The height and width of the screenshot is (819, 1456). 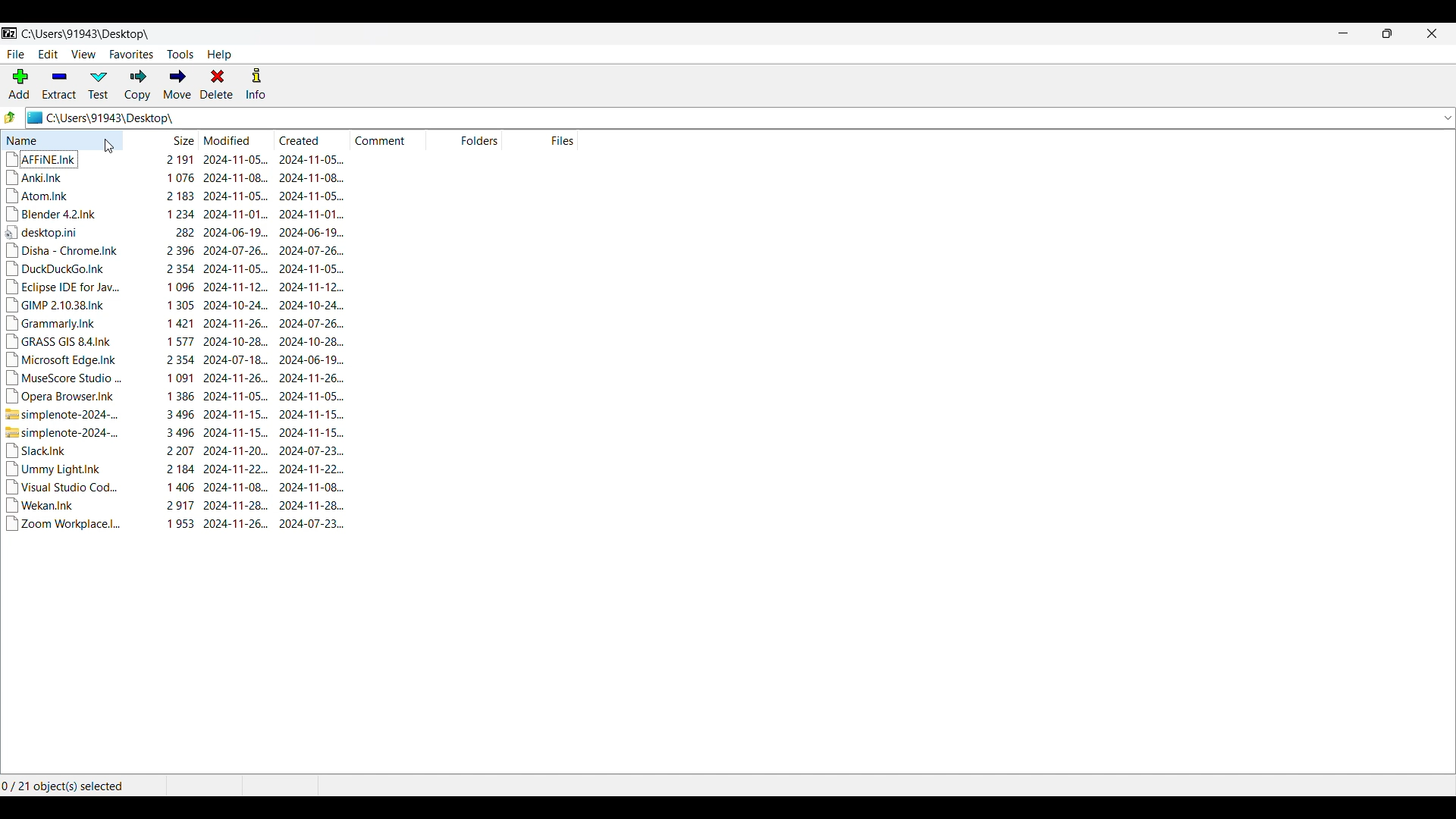 I want to click on C:\Users\91943\Desktop\, so click(x=88, y=35).